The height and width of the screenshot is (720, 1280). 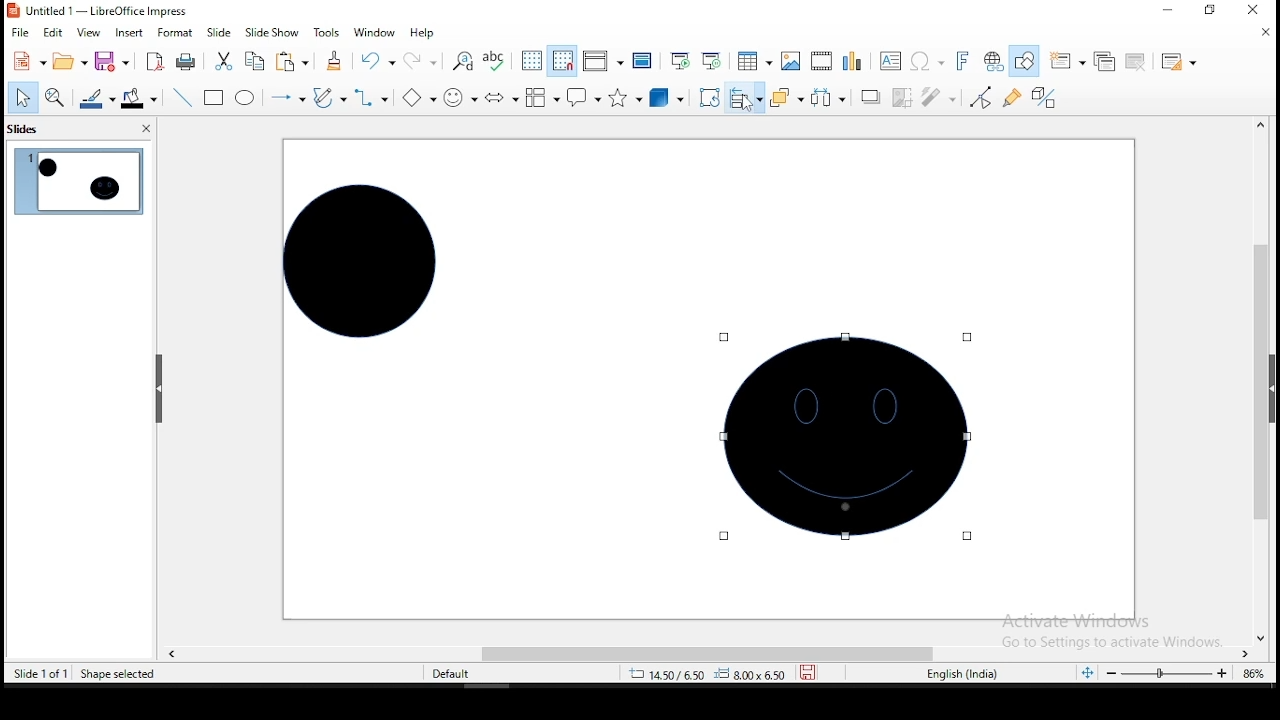 I want to click on fit slide to current window, so click(x=1086, y=671).